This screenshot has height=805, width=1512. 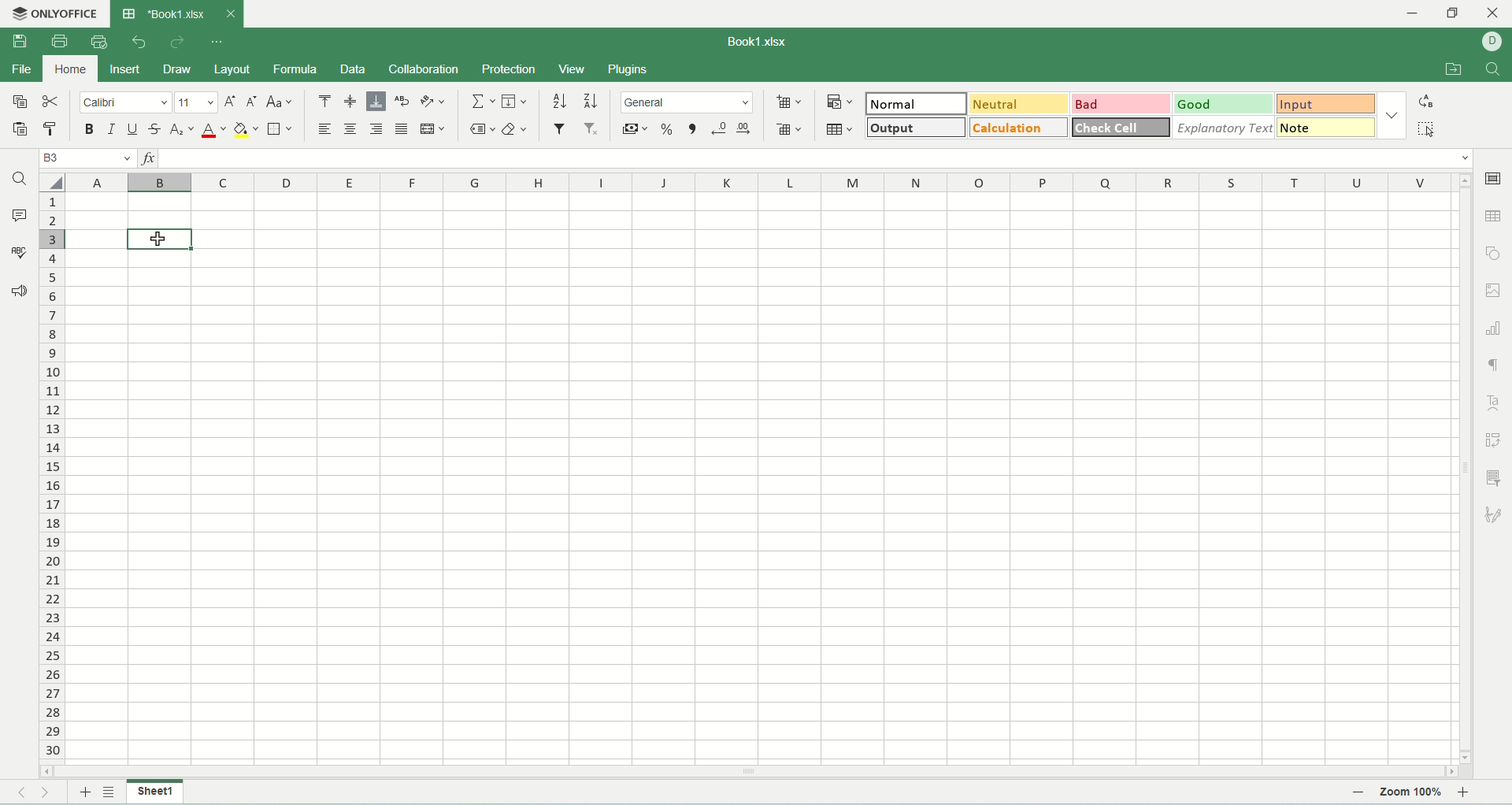 What do you see at coordinates (157, 131) in the screenshot?
I see `strikethrough` at bounding box center [157, 131].